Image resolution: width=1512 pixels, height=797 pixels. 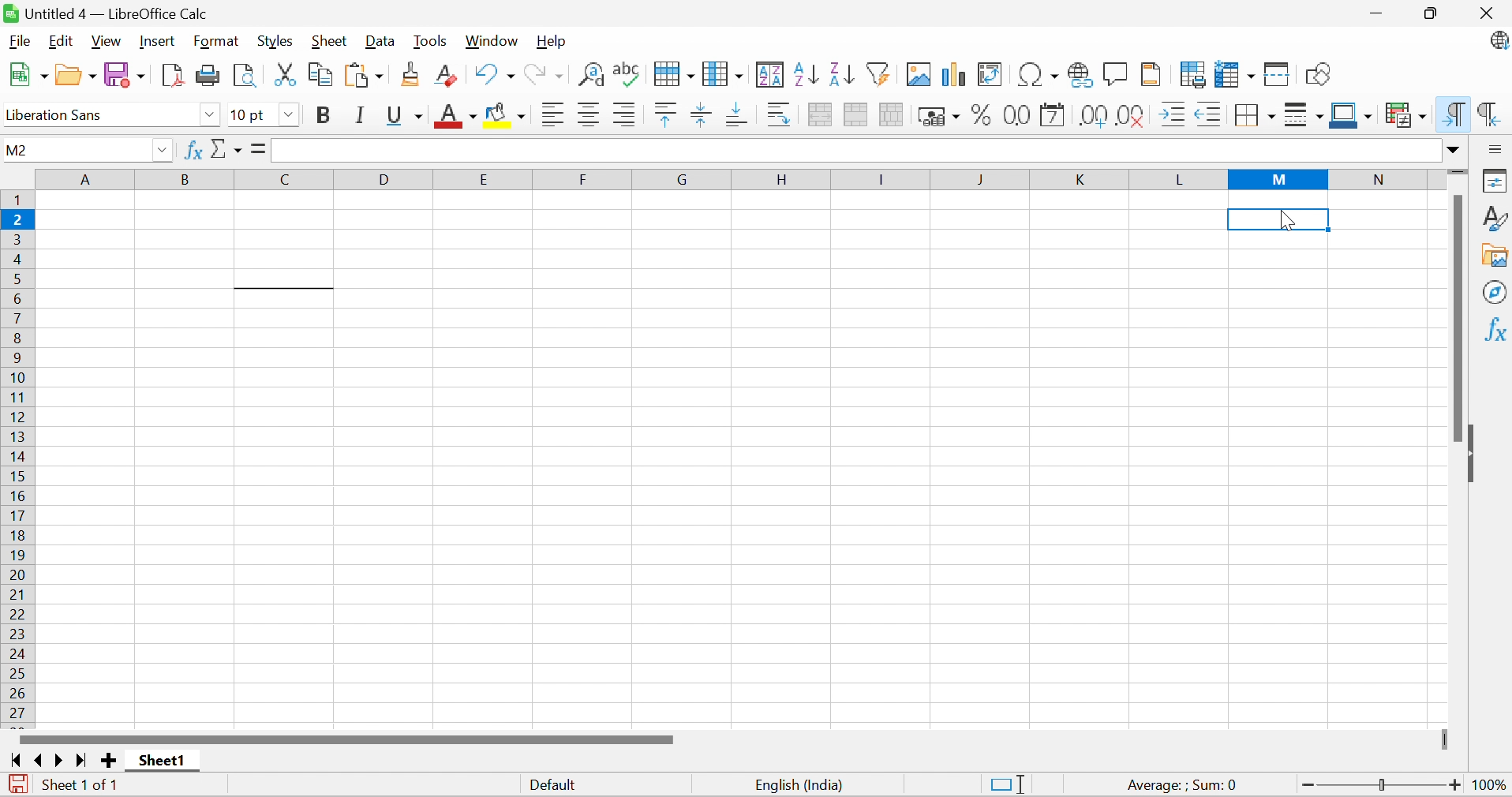 What do you see at coordinates (1183, 786) in the screenshot?
I see `verage ; Sum:0` at bounding box center [1183, 786].